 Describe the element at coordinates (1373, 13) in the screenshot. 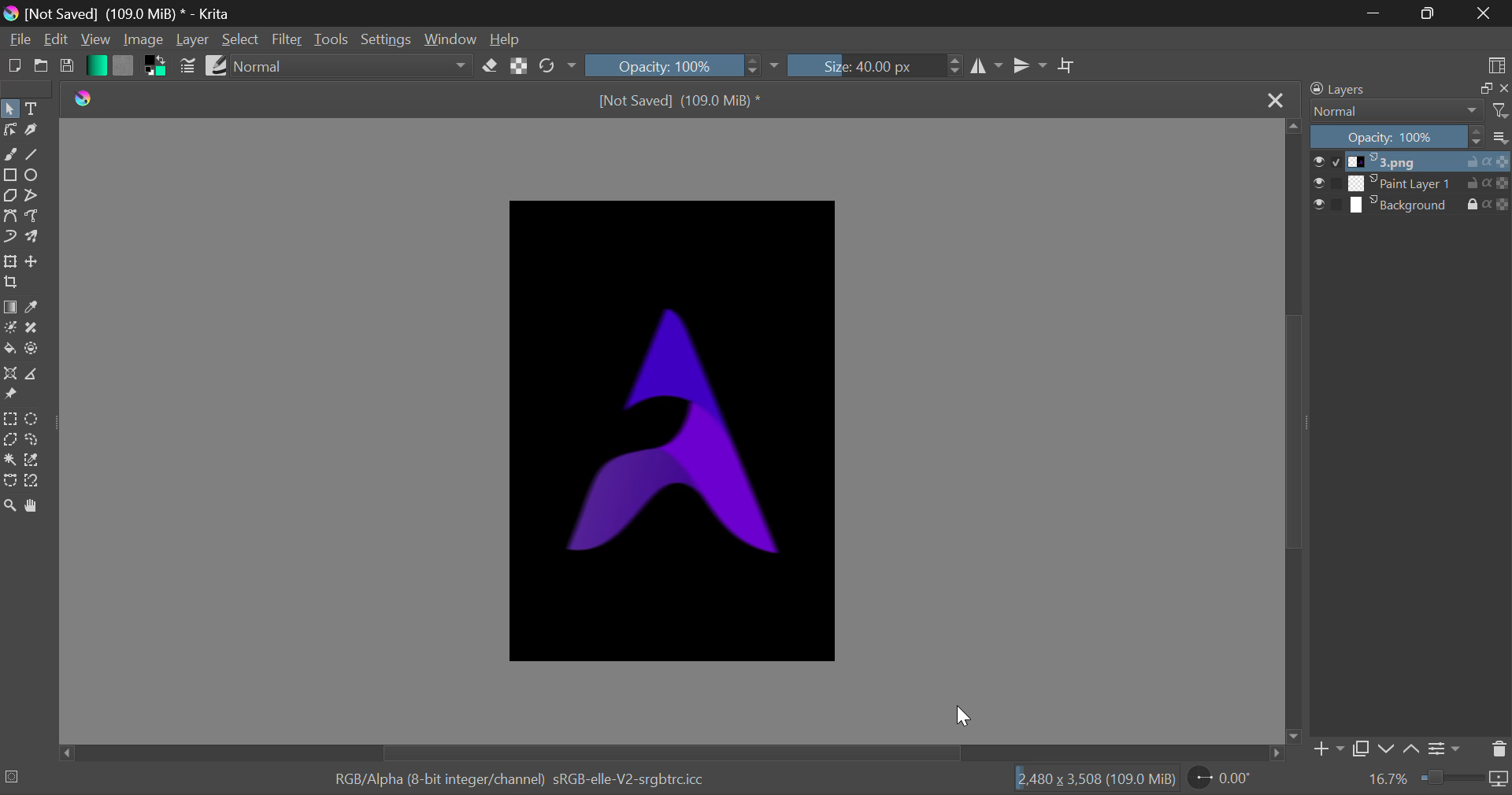

I see `Restore Down` at that location.